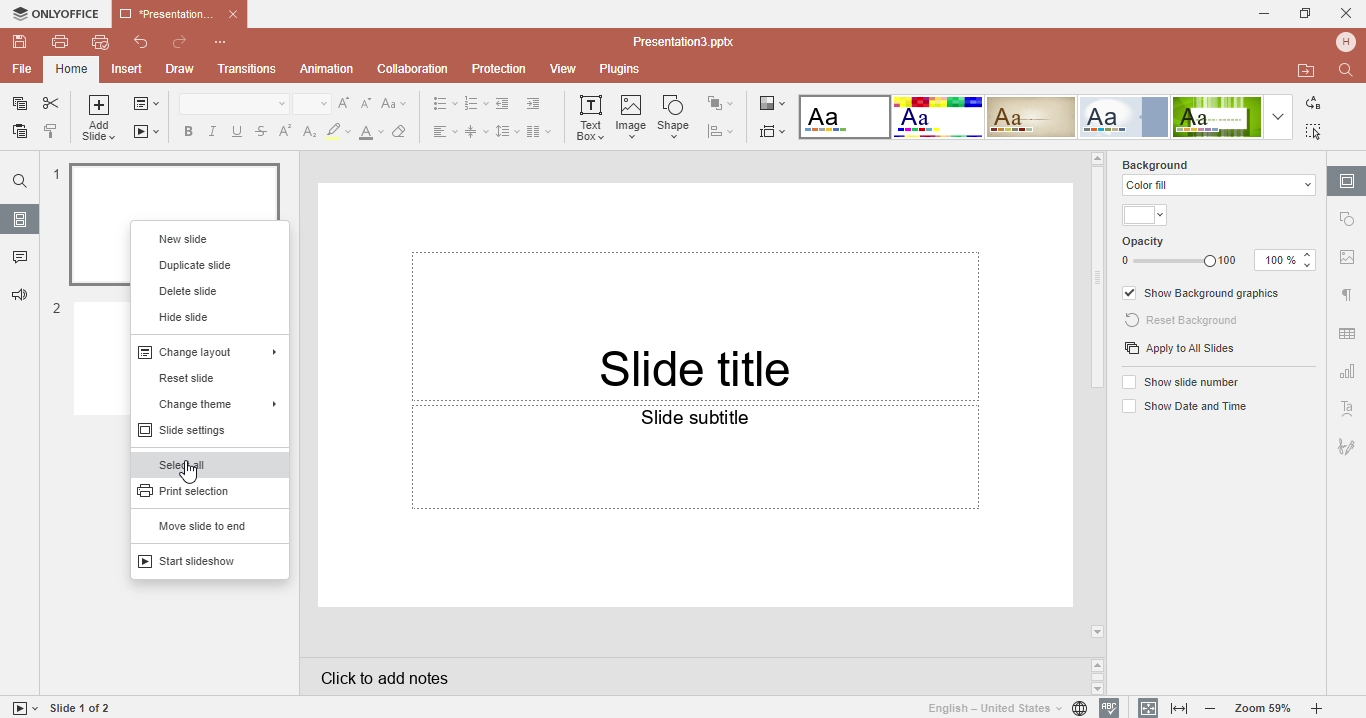 This screenshot has height=718, width=1366. What do you see at coordinates (1346, 443) in the screenshot?
I see `Signature setting` at bounding box center [1346, 443].